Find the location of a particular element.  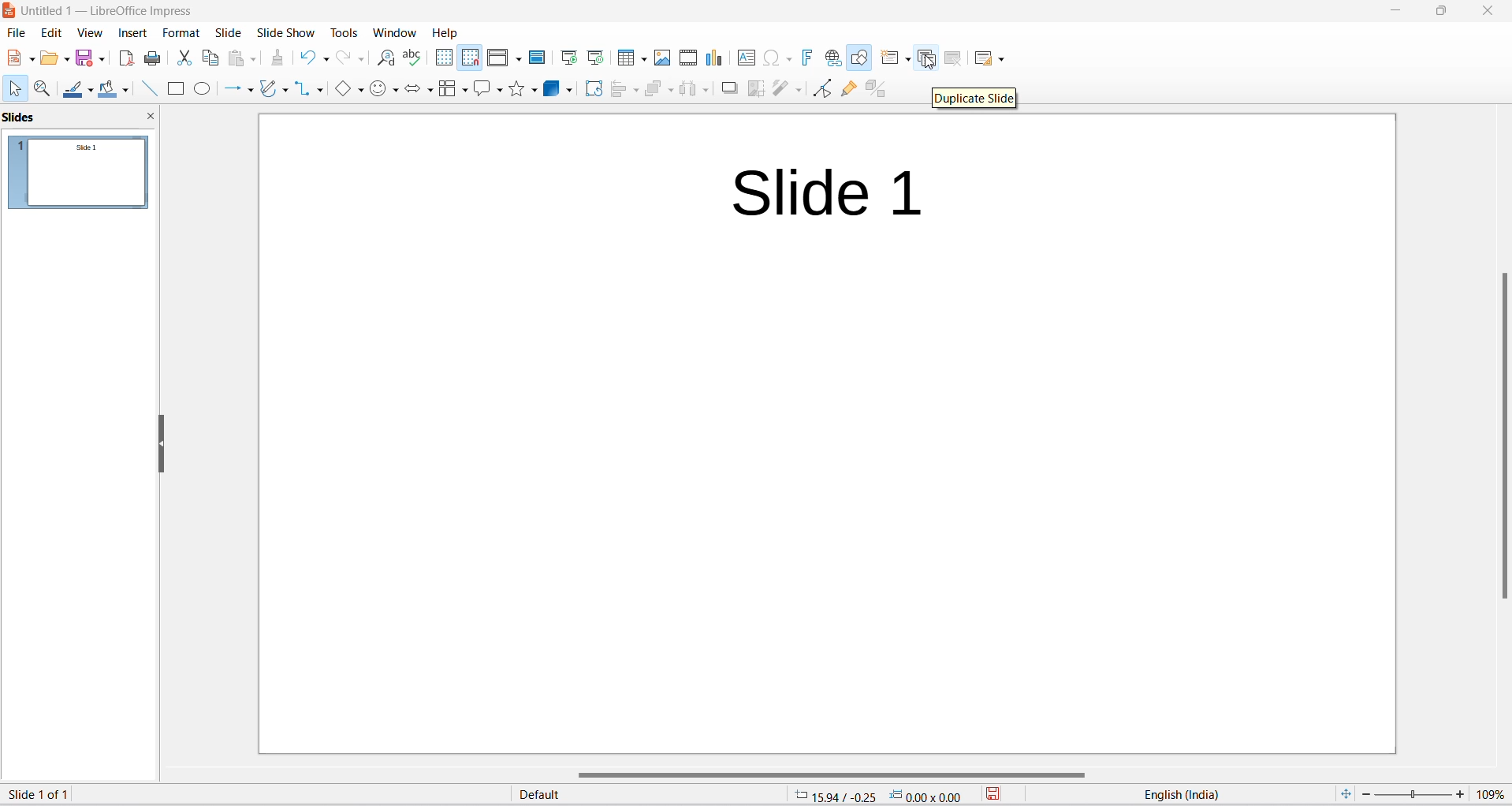

display view is located at coordinates (505, 58).